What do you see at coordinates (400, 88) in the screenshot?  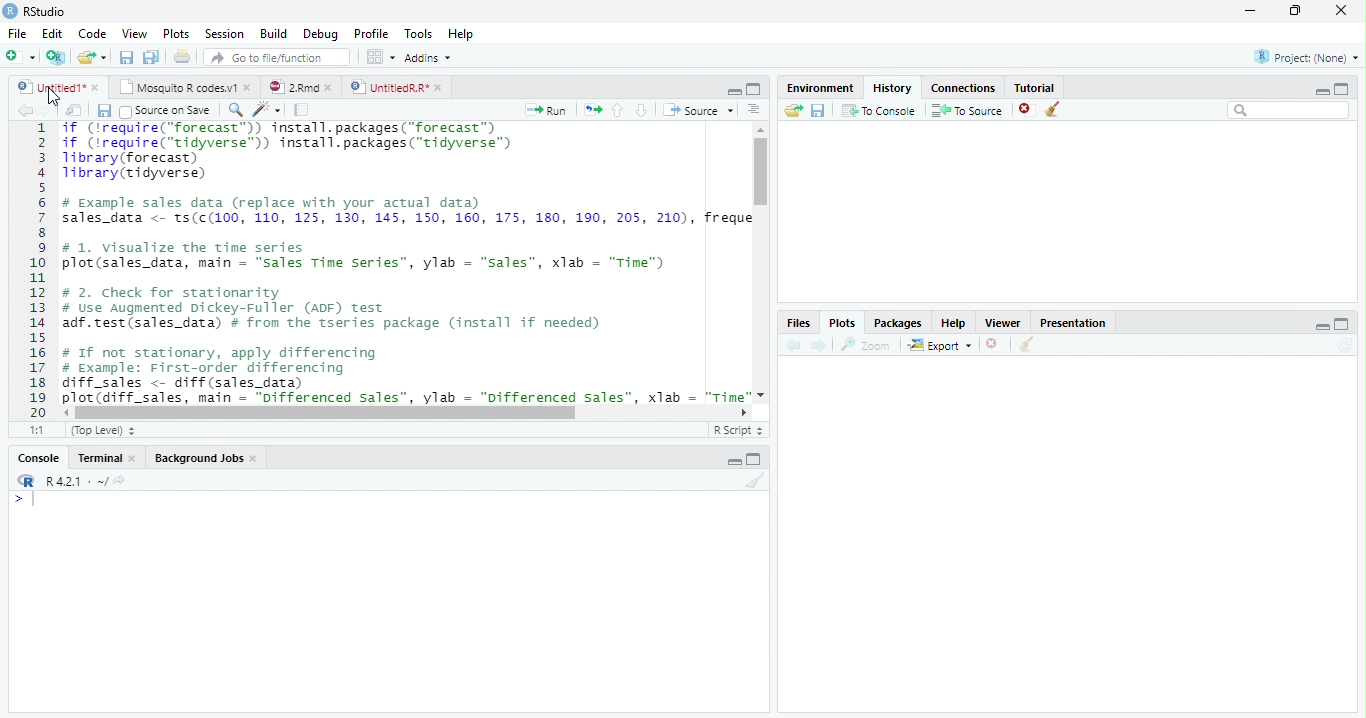 I see `UntitledR.R` at bounding box center [400, 88].